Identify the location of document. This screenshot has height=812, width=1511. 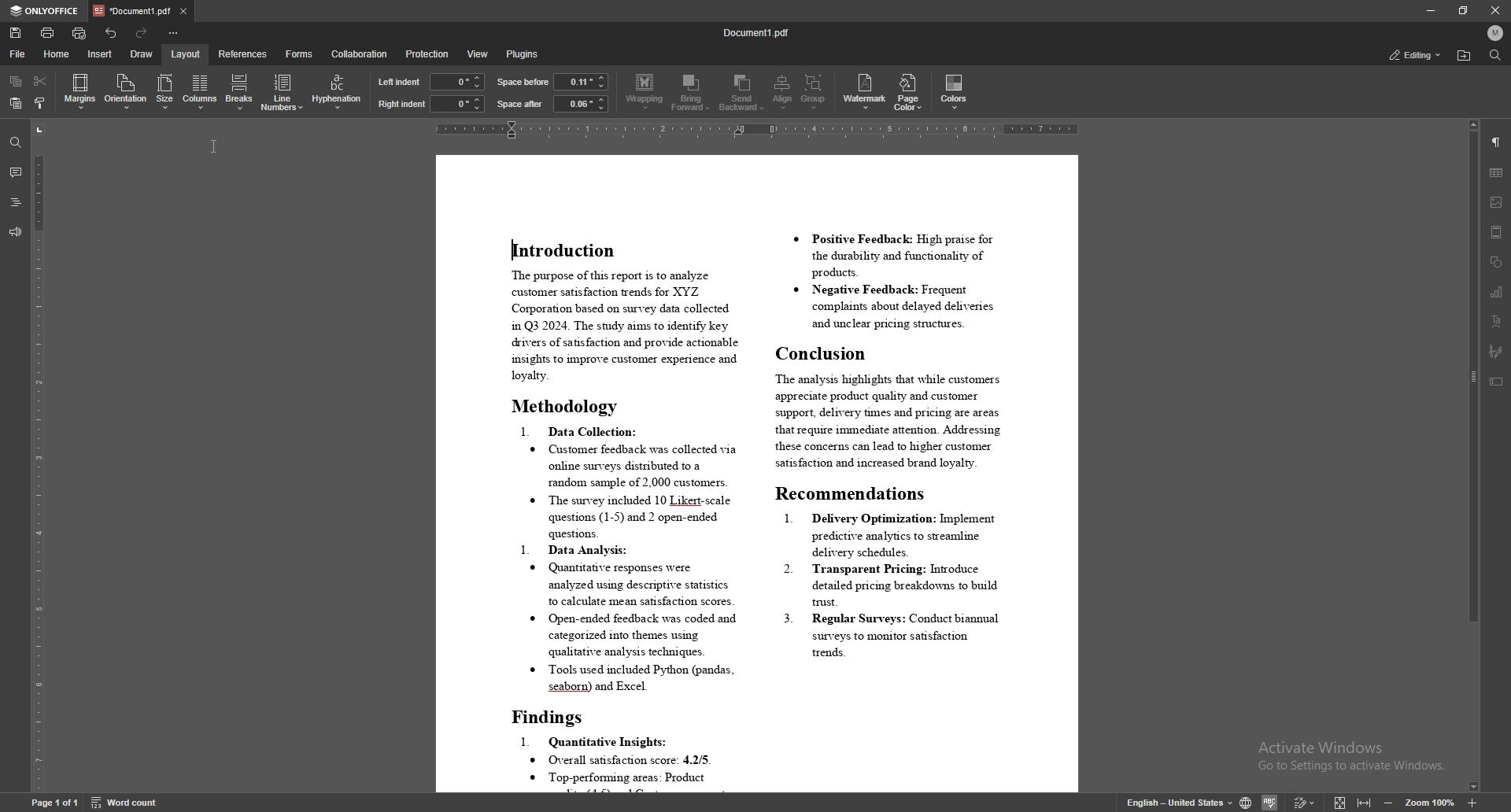
(757, 475).